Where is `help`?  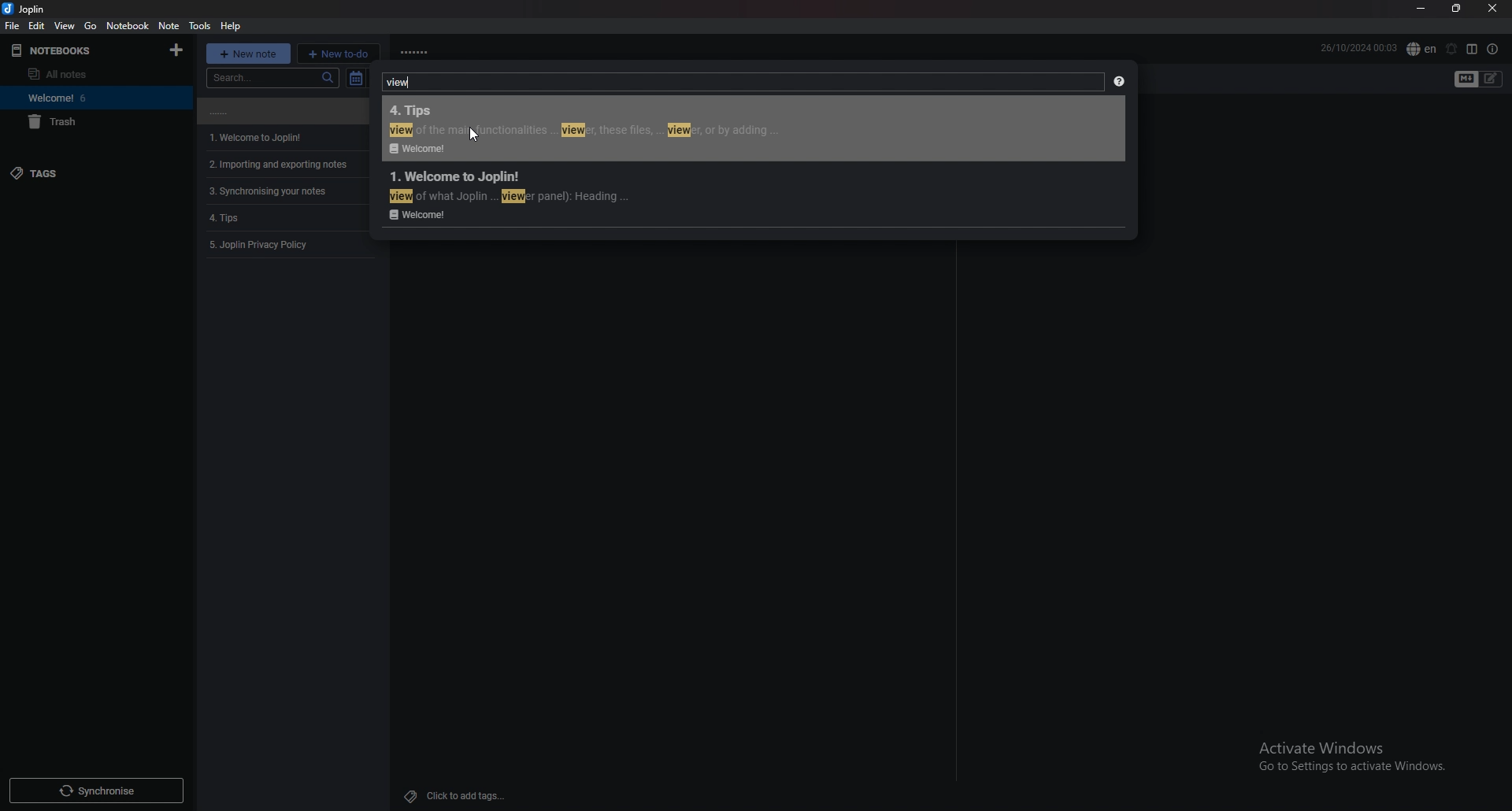
help is located at coordinates (233, 25).